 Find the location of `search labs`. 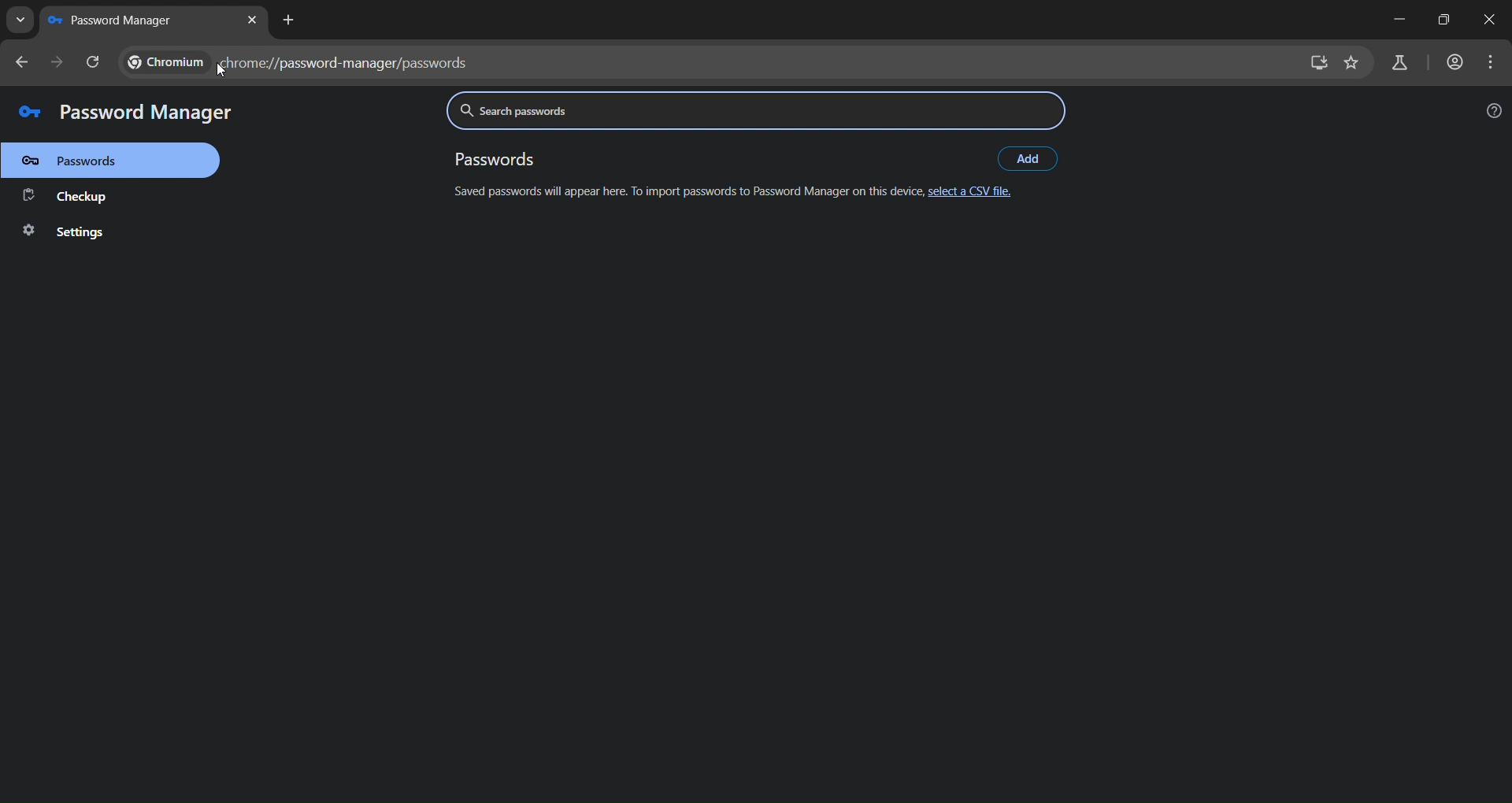

search labs is located at coordinates (1397, 64).